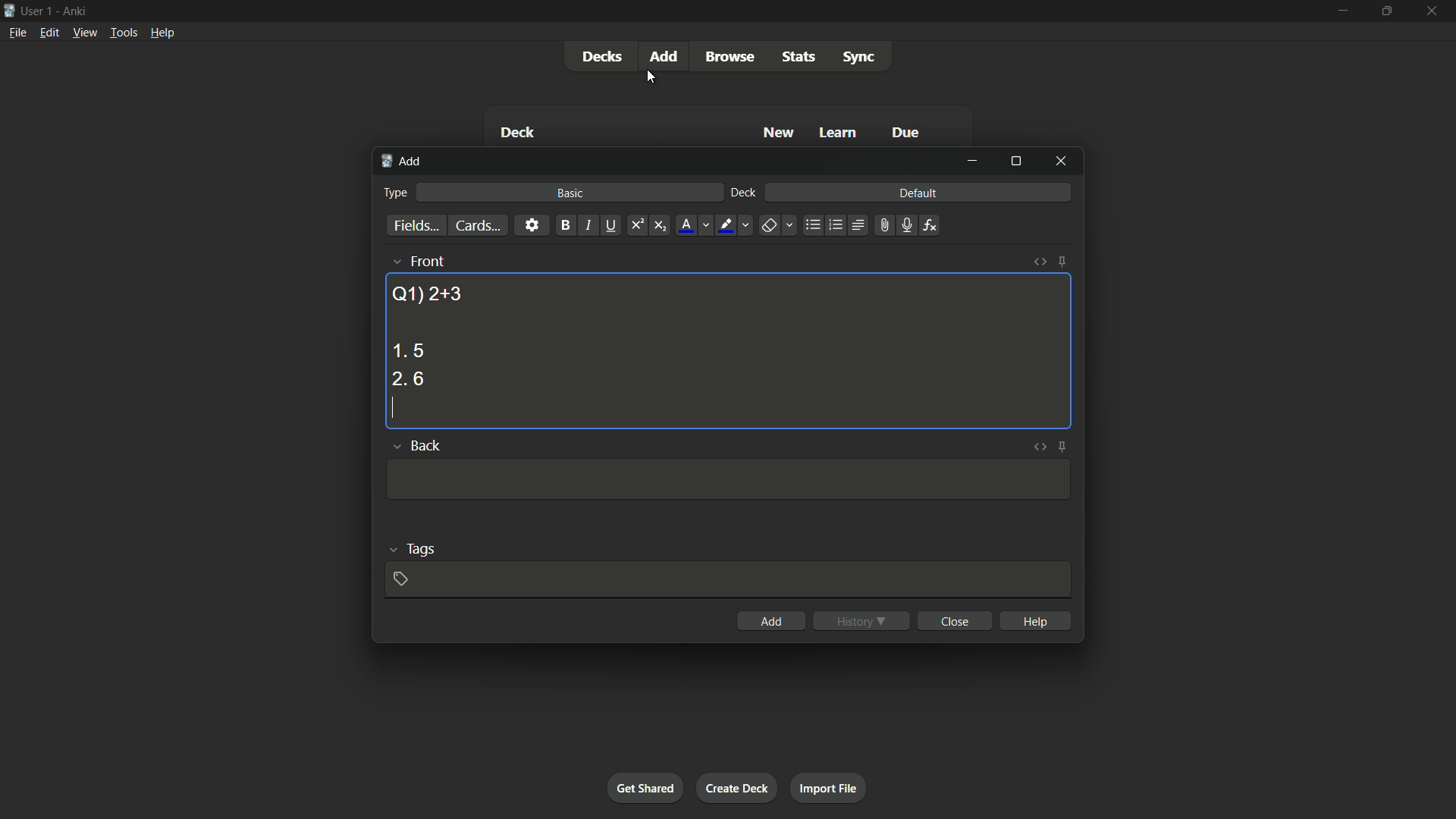 The height and width of the screenshot is (819, 1456). What do you see at coordinates (74, 9) in the screenshot?
I see `app name` at bounding box center [74, 9].